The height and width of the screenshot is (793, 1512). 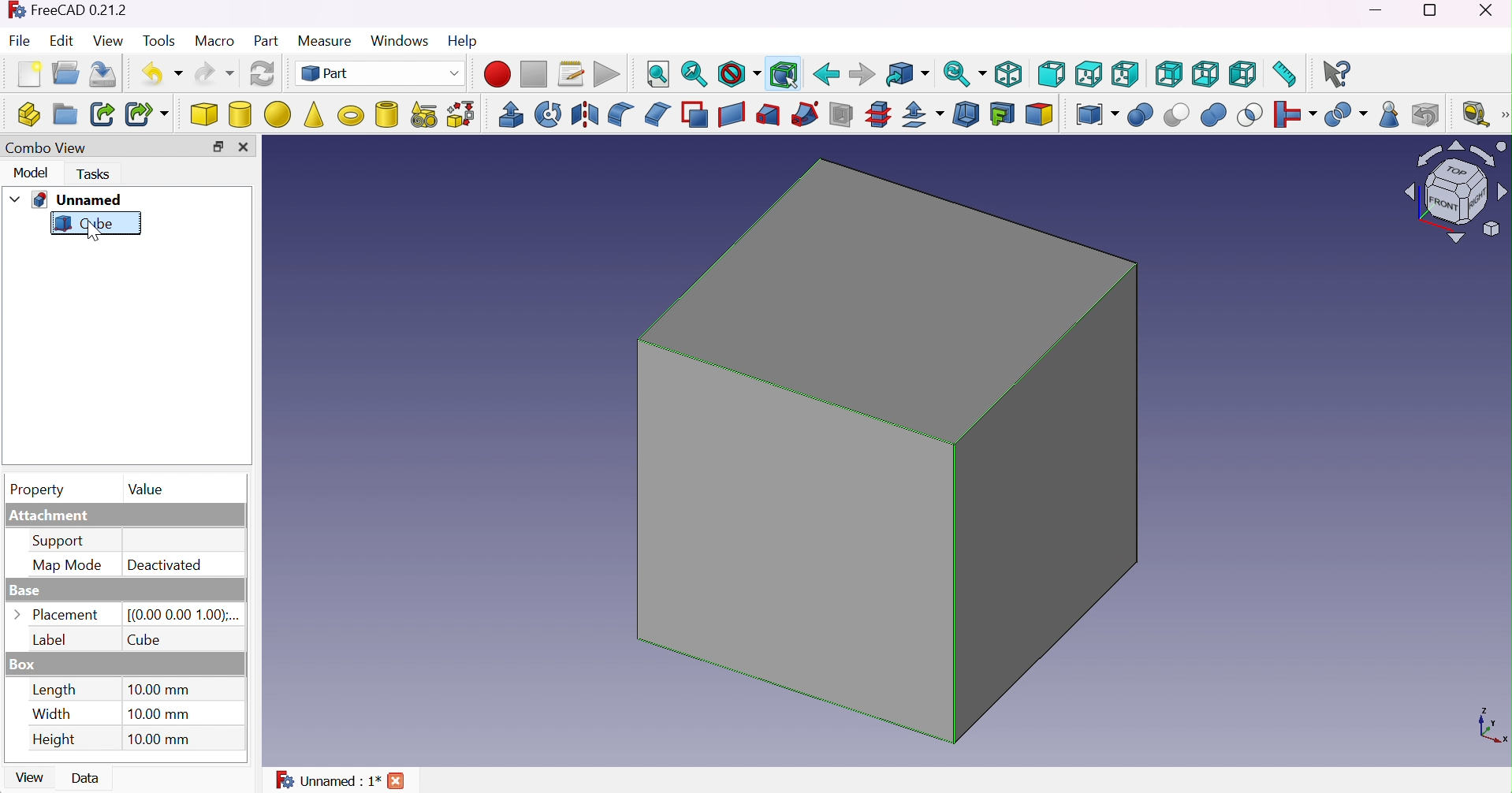 What do you see at coordinates (43, 147) in the screenshot?
I see `Combo view` at bounding box center [43, 147].